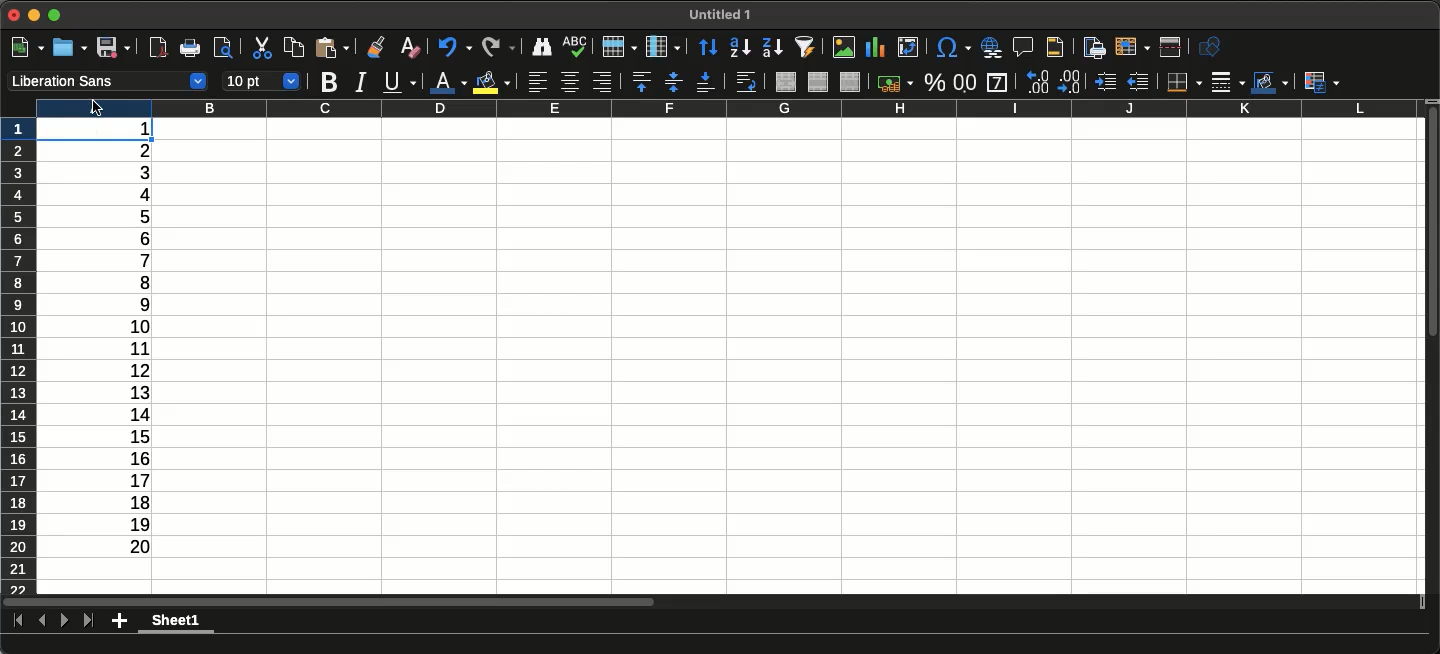 The height and width of the screenshot is (654, 1440). What do you see at coordinates (1322, 81) in the screenshot?
I see `Conditional ` at bounding box center [1322, 81].